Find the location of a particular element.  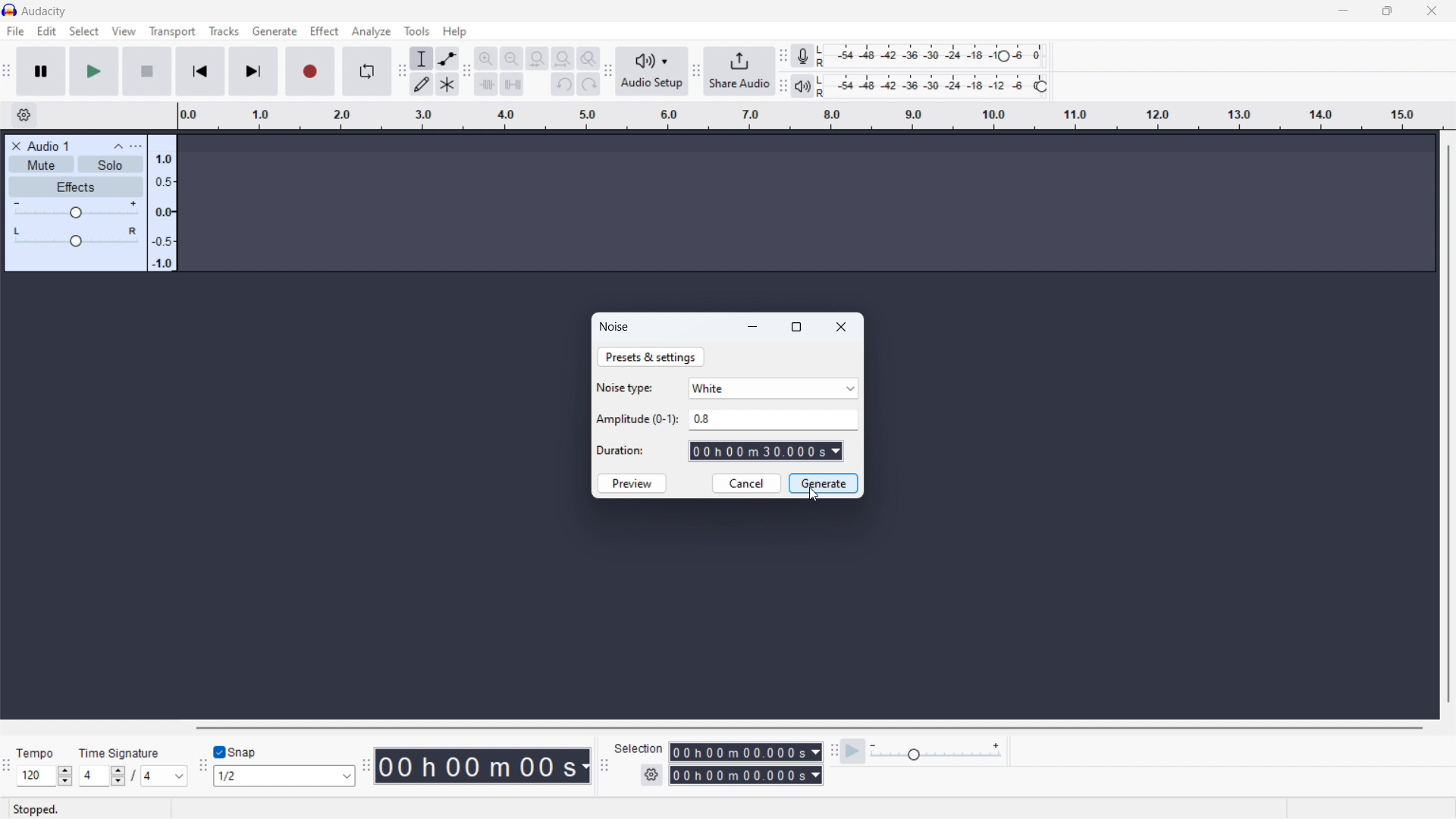

end time is located at coordinates (747, 776).